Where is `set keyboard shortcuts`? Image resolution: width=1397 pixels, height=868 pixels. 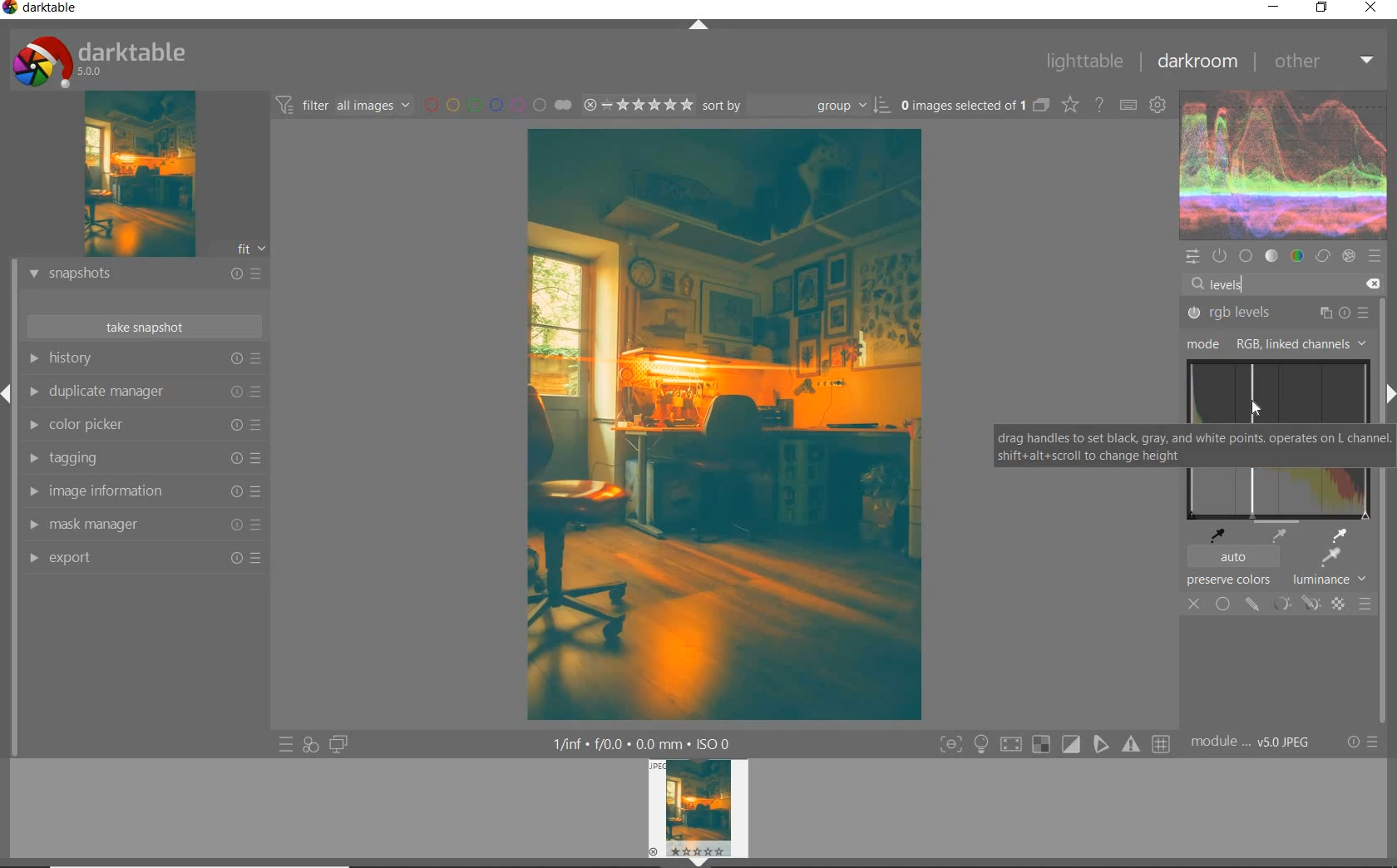
set keyboard shortcuts is located at coordinates (1128, 106).